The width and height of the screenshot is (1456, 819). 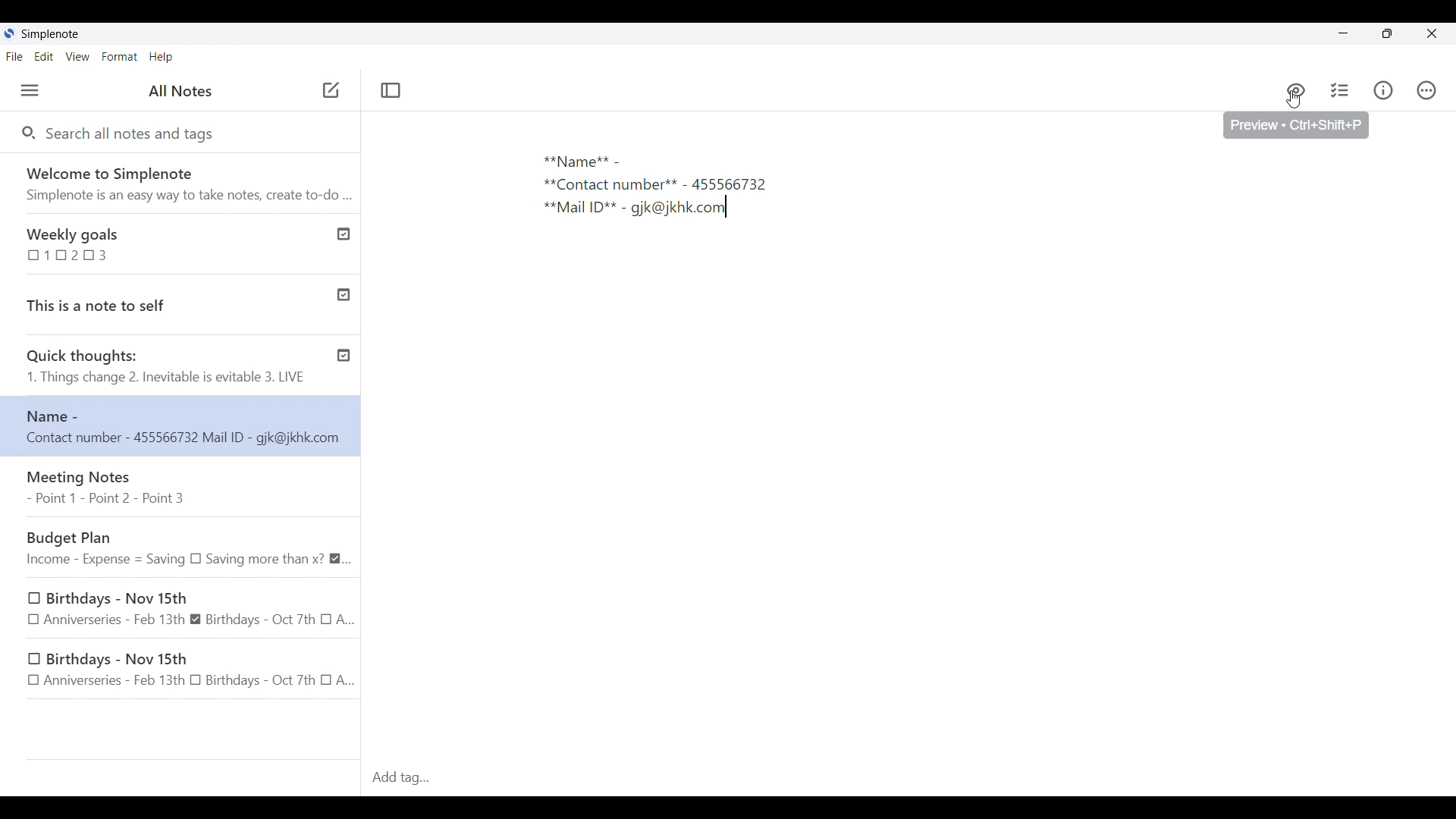 What do you see at coordinates (1383, 90) in the screenshot?
I see `Info` at bounding box center [1383, 90].